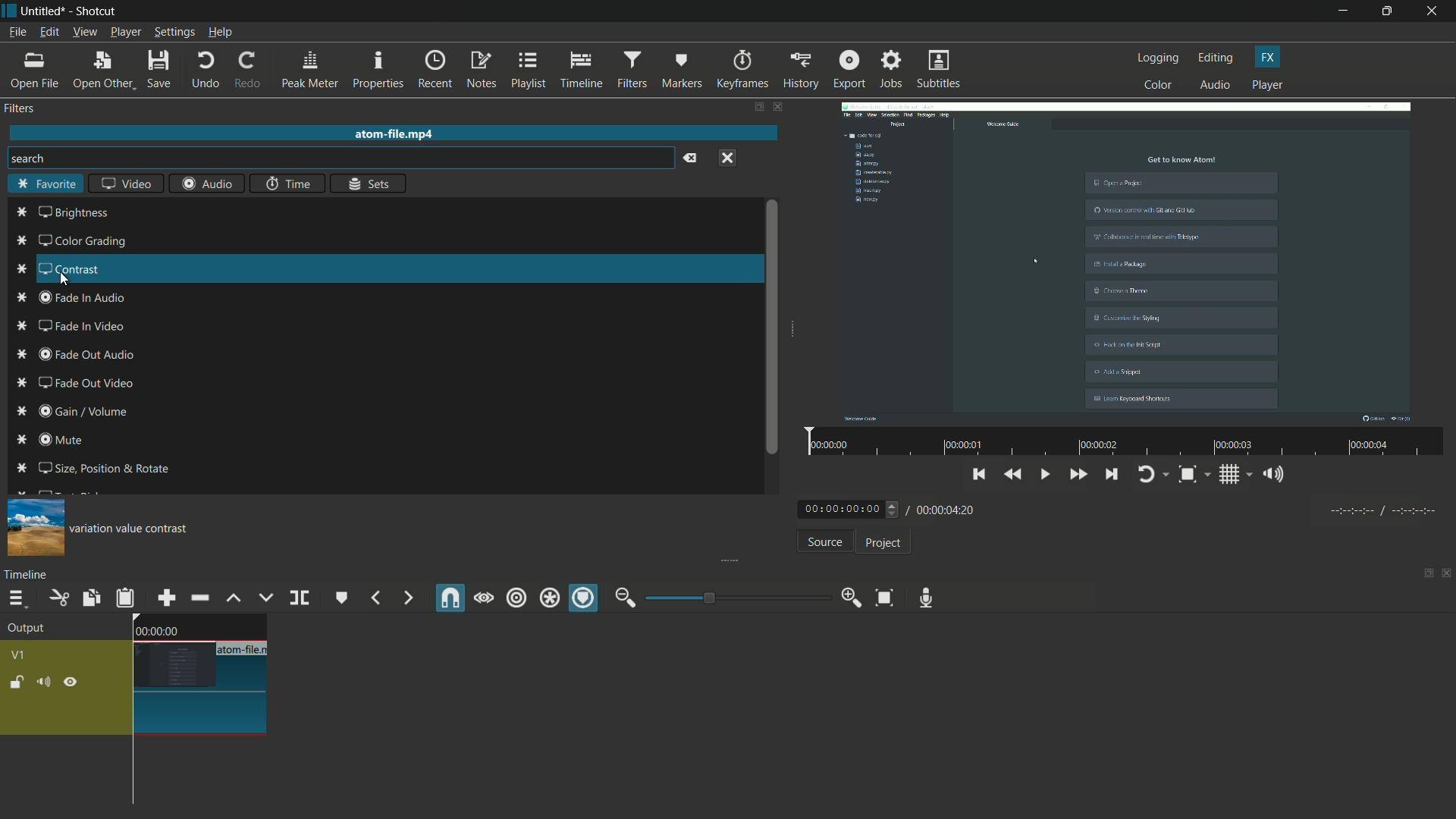 The width and height of the screenshot is (1456, 819). What do you see at coordinates (848, 69) in the screenshot?
I see `export` at bounding box center [848, 69].